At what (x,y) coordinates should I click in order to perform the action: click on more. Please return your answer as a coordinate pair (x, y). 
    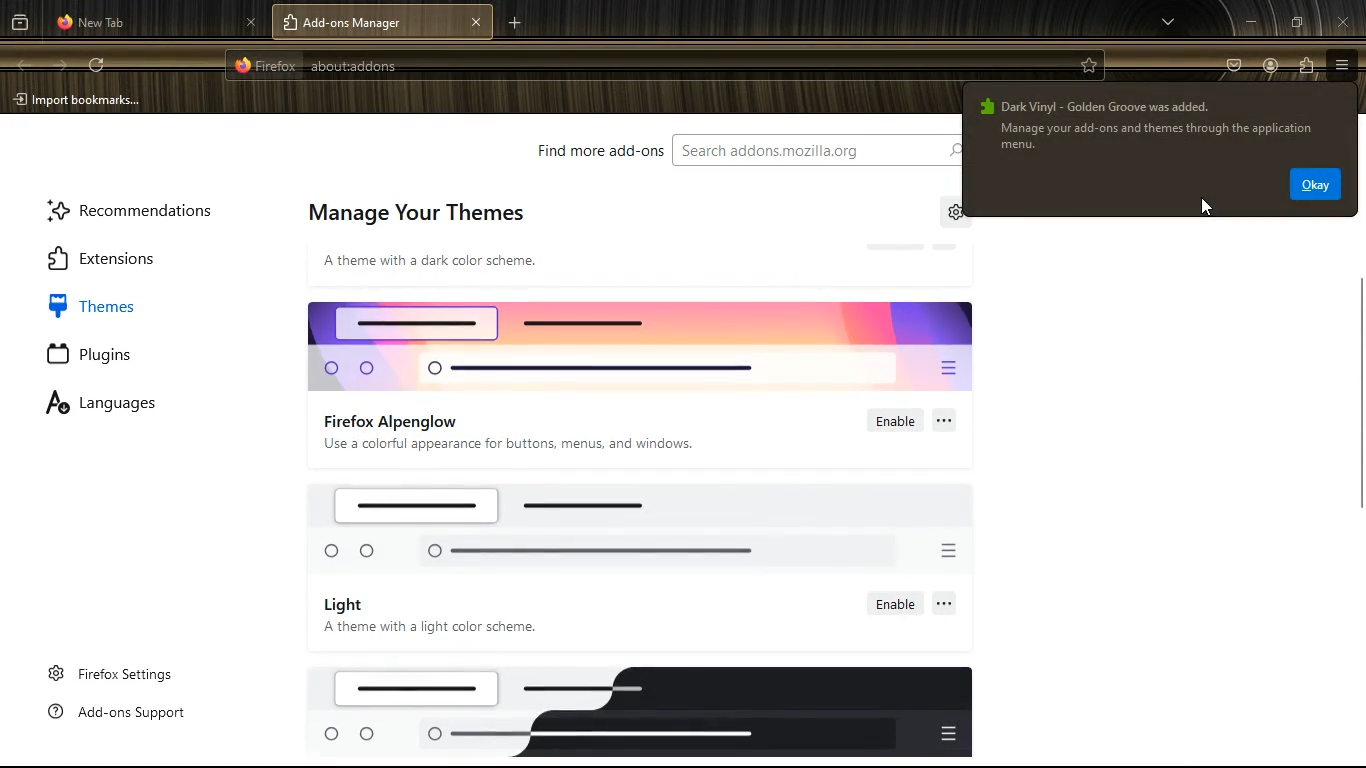
    Looking at the image, I should click on (945, 419).